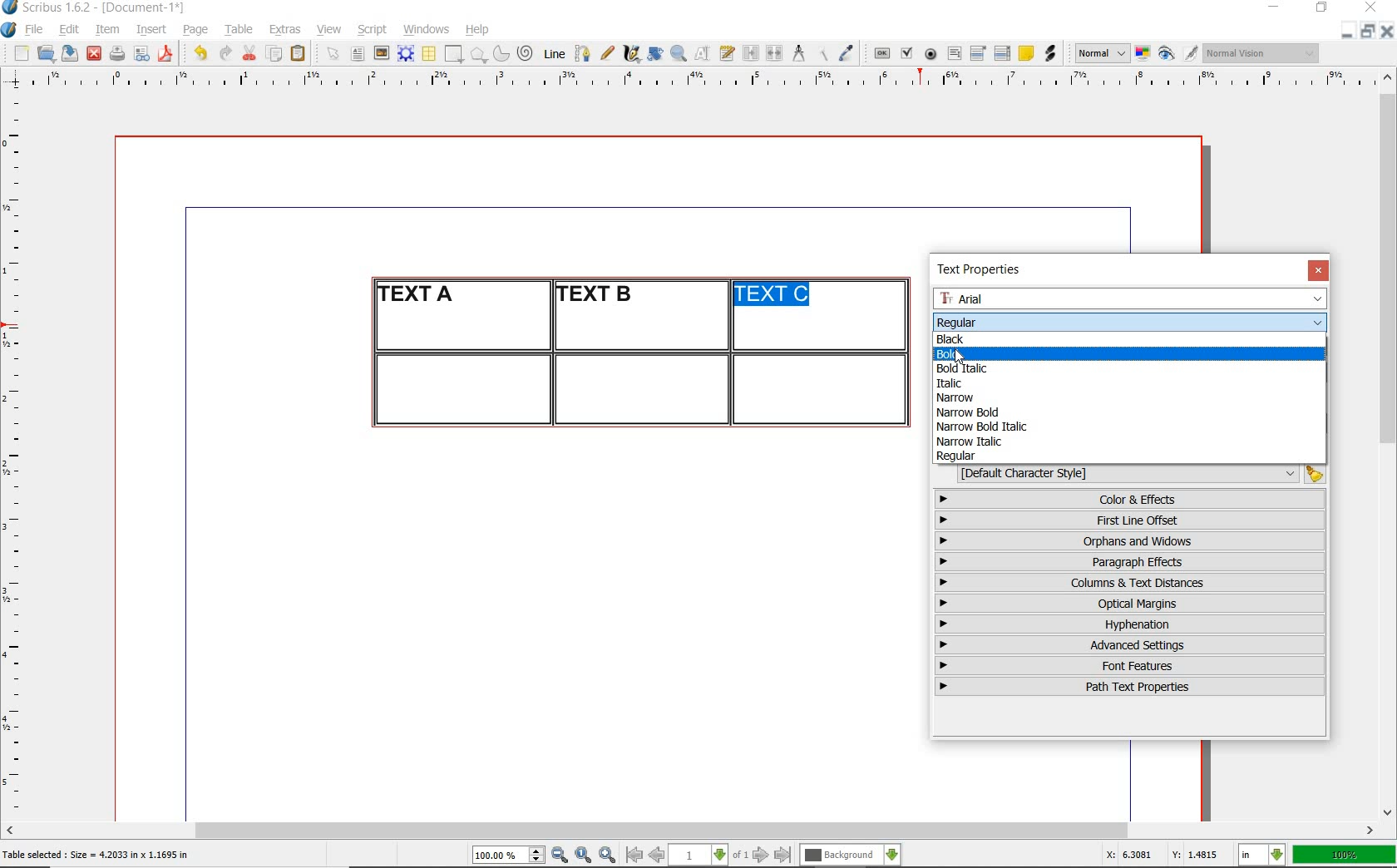 The width and height of the screenshot is (1397, 868). I want to click on select current page level, so click(708, 855).